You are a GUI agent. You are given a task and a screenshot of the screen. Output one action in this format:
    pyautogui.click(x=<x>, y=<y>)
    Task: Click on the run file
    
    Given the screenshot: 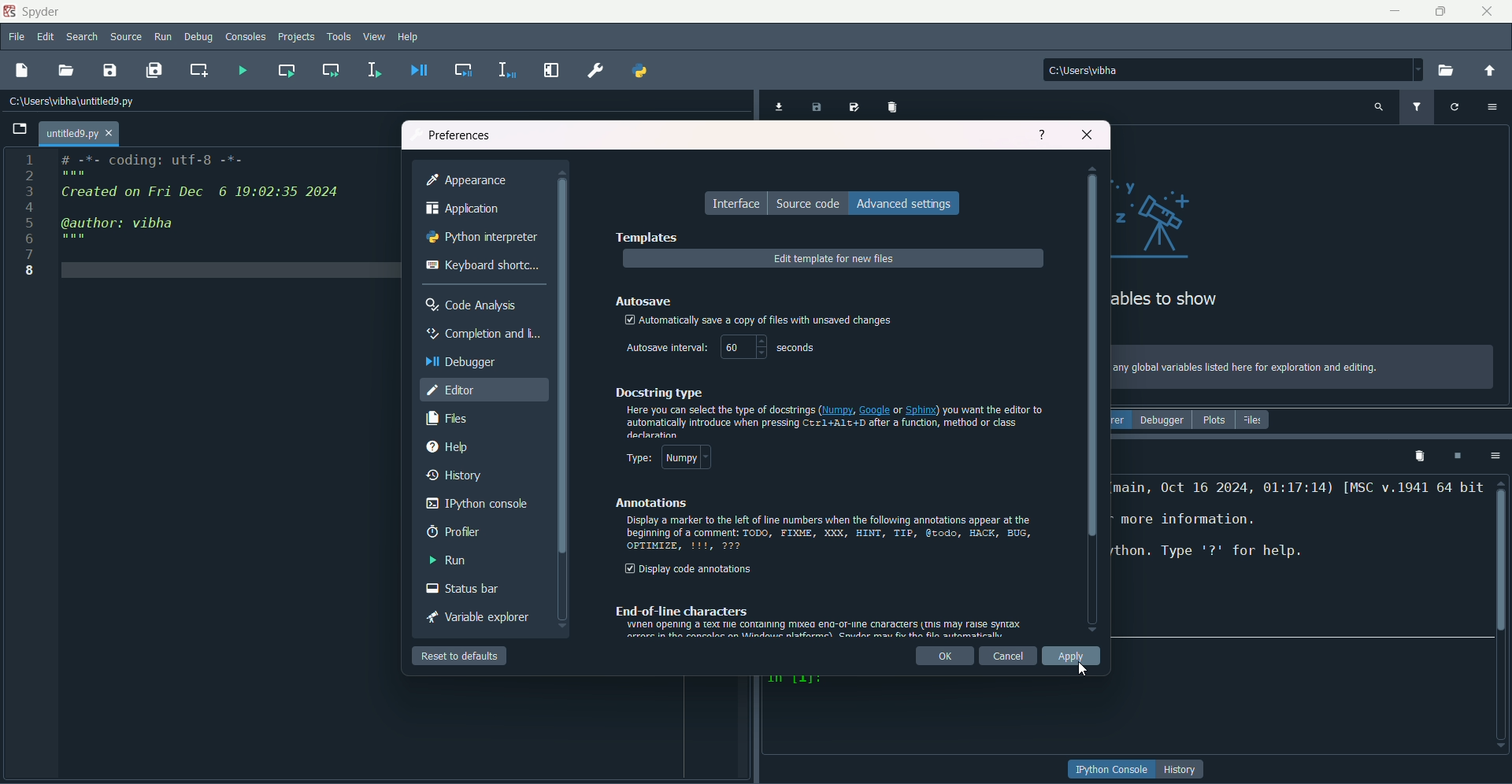 What is the action you would take?
    pyautogui.click(x=239, y=69)
    